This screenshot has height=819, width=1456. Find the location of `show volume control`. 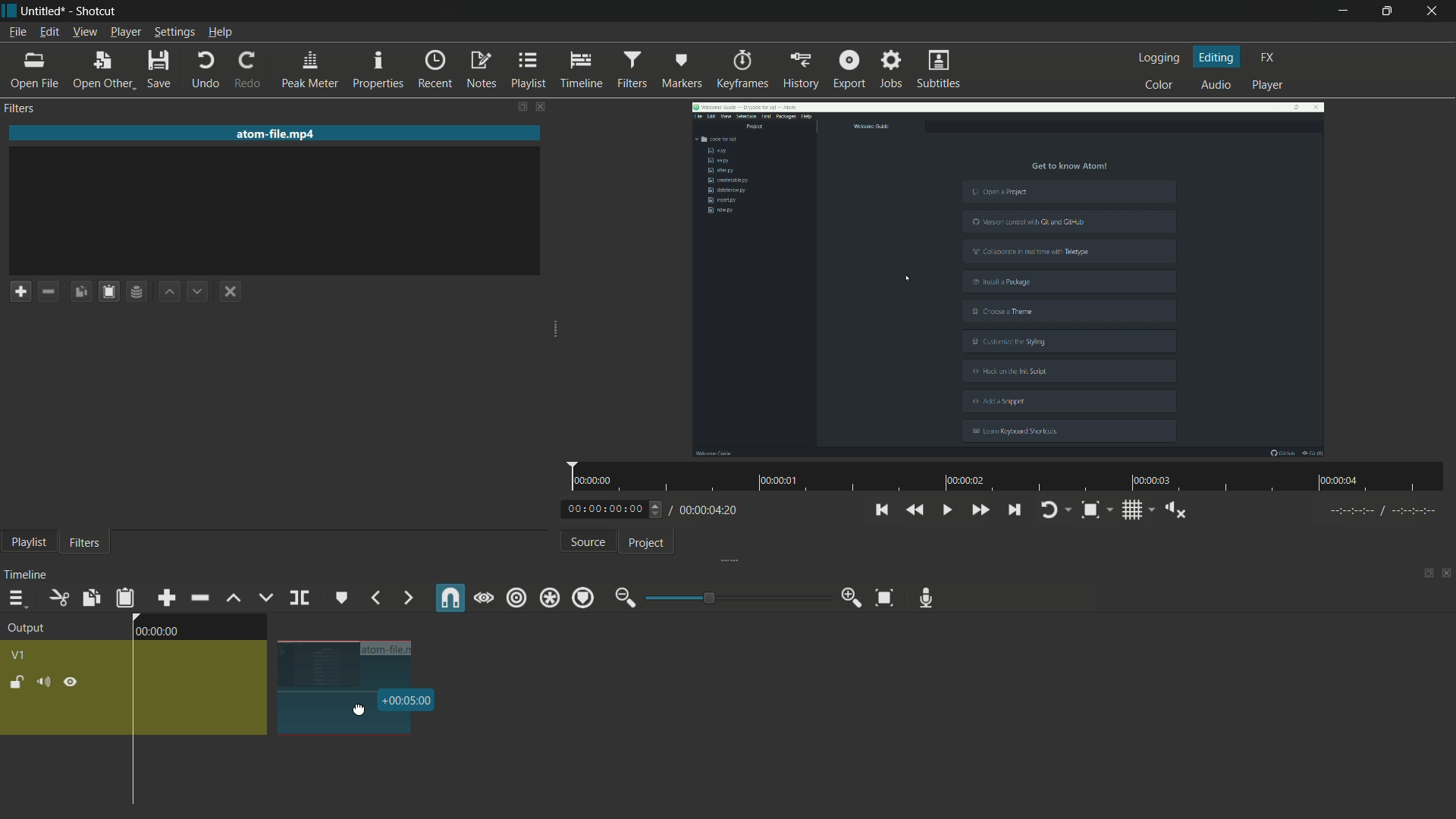

show volume control is located at coordinates (1176, 510).